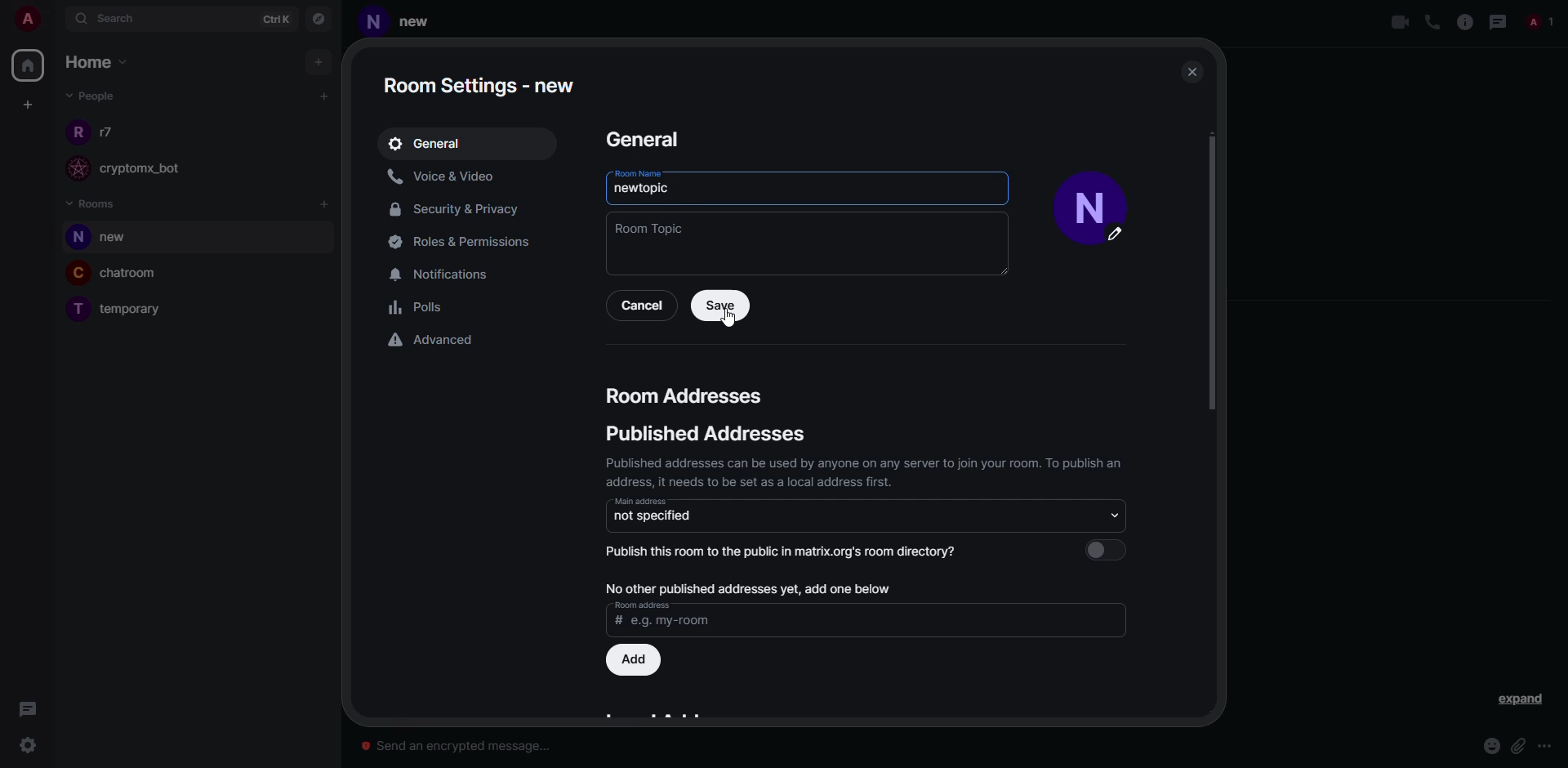  Describe the element at coordinates (74, 168) in the screenshot. I see `profile image` at that location.